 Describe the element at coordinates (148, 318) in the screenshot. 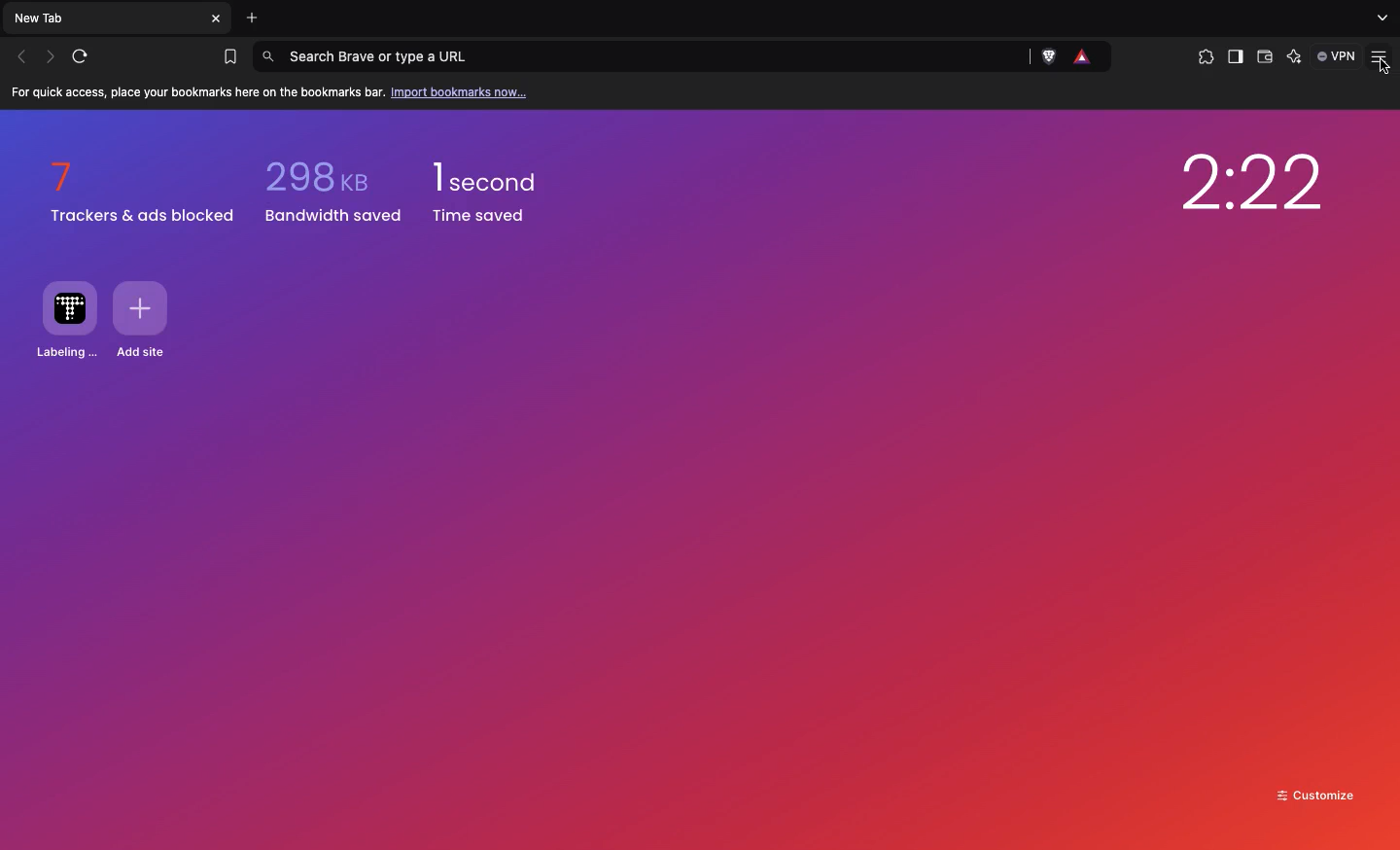

I see `Add site` at that location.